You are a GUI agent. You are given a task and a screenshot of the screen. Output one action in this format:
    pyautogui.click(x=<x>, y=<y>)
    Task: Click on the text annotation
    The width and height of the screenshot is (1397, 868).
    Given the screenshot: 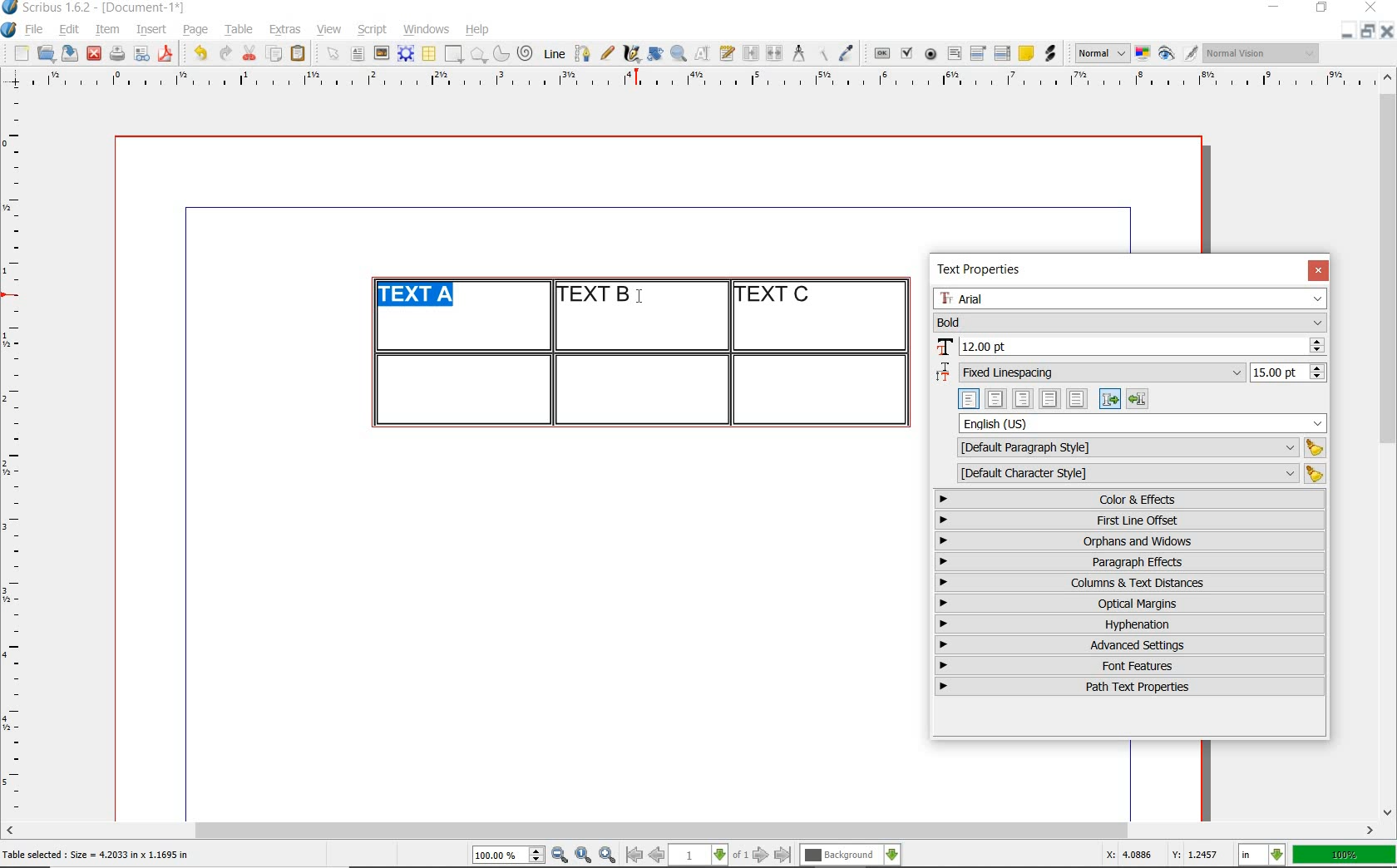 What is the action you would take?
    pyautogui.click(x=1025, y=54)
    